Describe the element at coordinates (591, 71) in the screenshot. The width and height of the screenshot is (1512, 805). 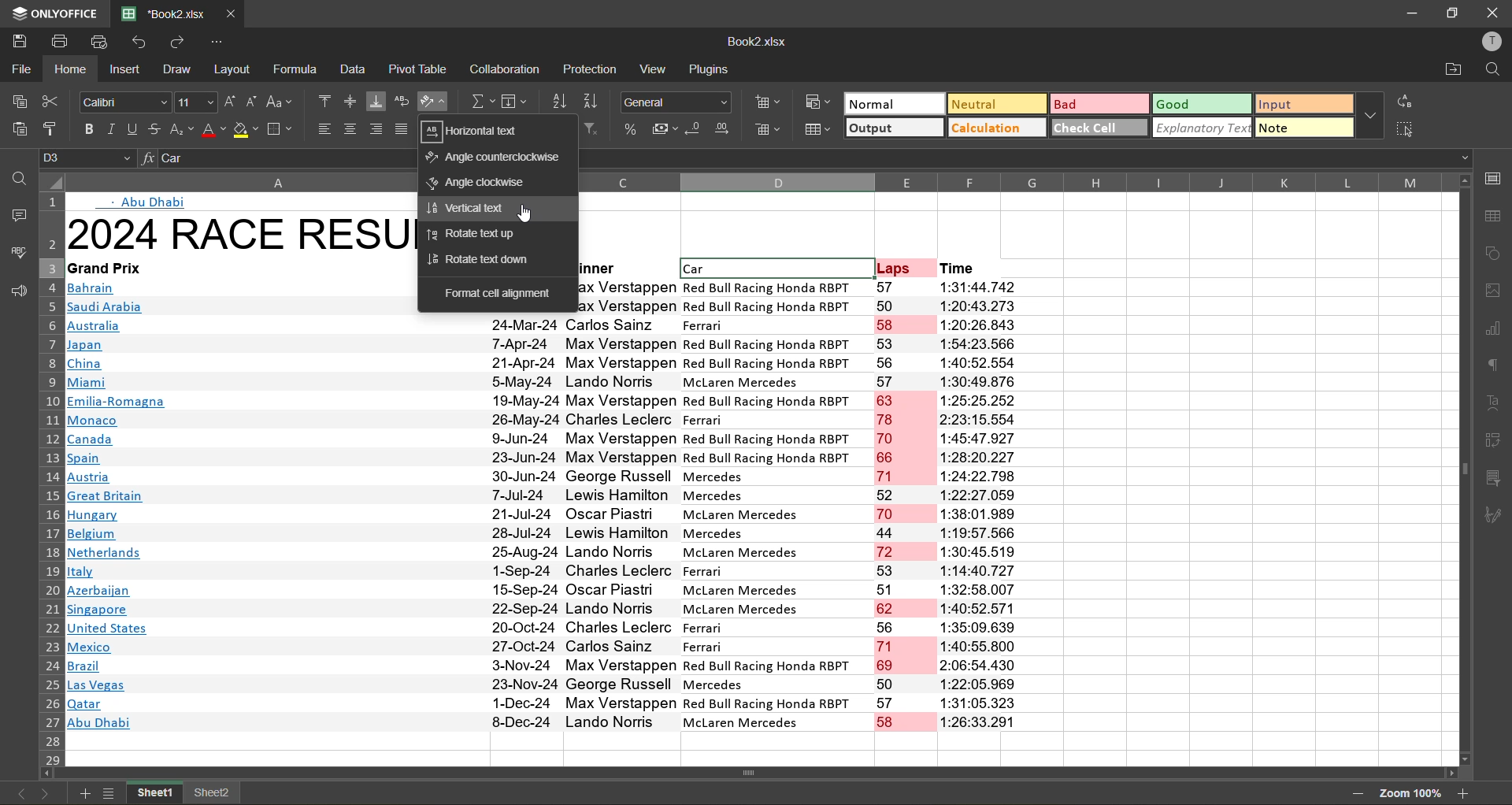
I see `protection` at that location.